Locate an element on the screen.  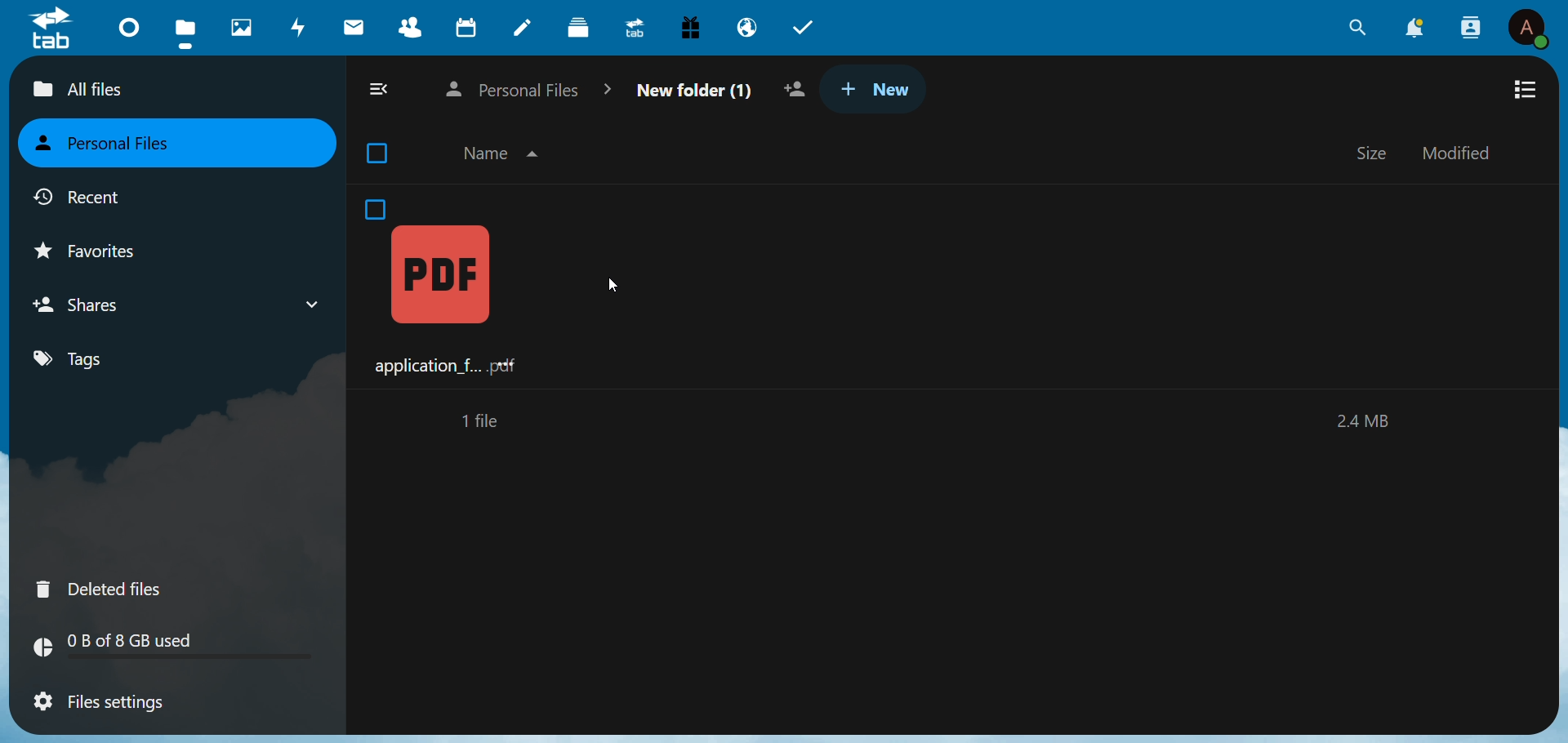
task is located at coordinates (809, 29).